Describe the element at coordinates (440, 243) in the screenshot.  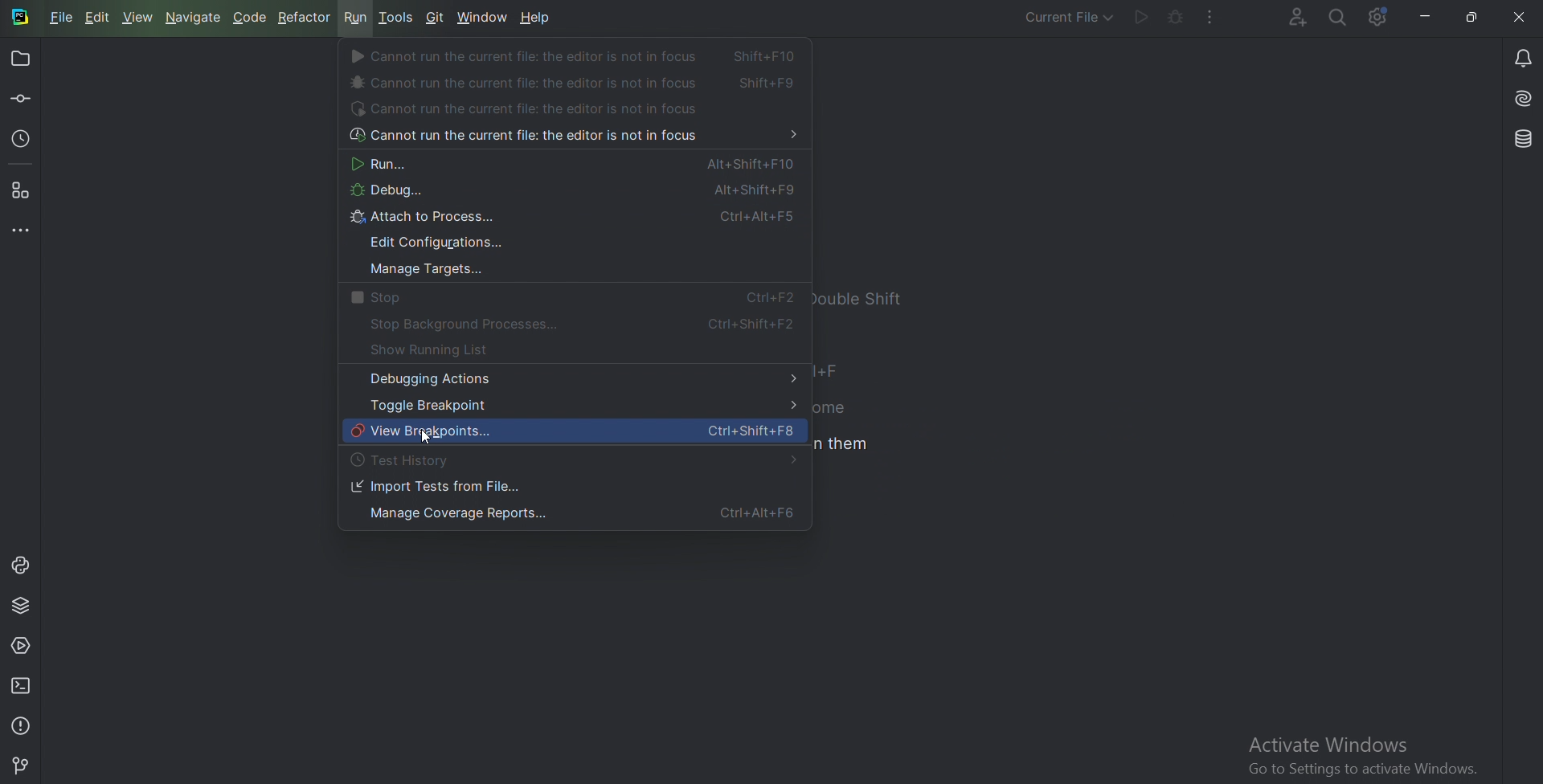
I see `Edit configurations` at that location.